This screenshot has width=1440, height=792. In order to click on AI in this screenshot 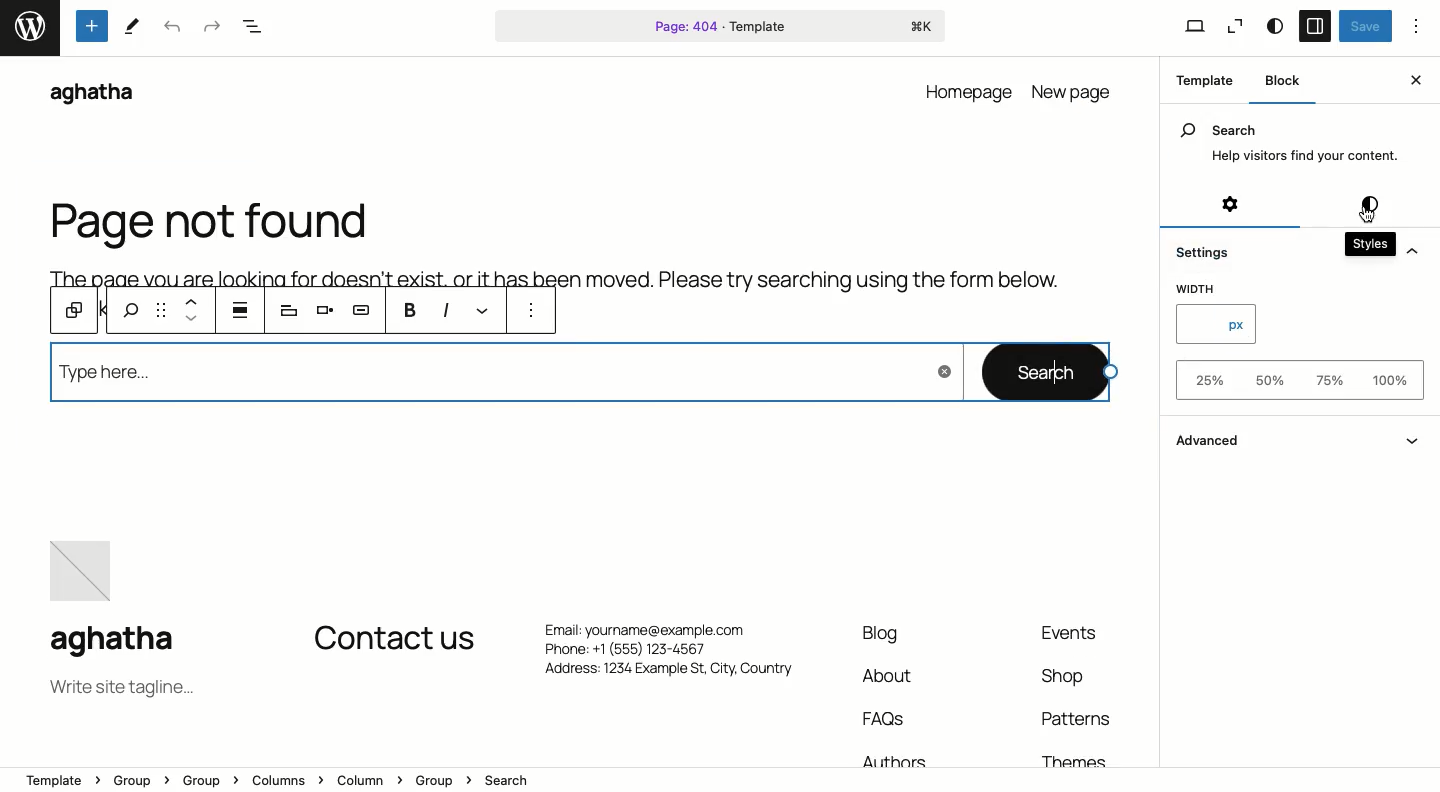, I will do `click(363, 312)`.